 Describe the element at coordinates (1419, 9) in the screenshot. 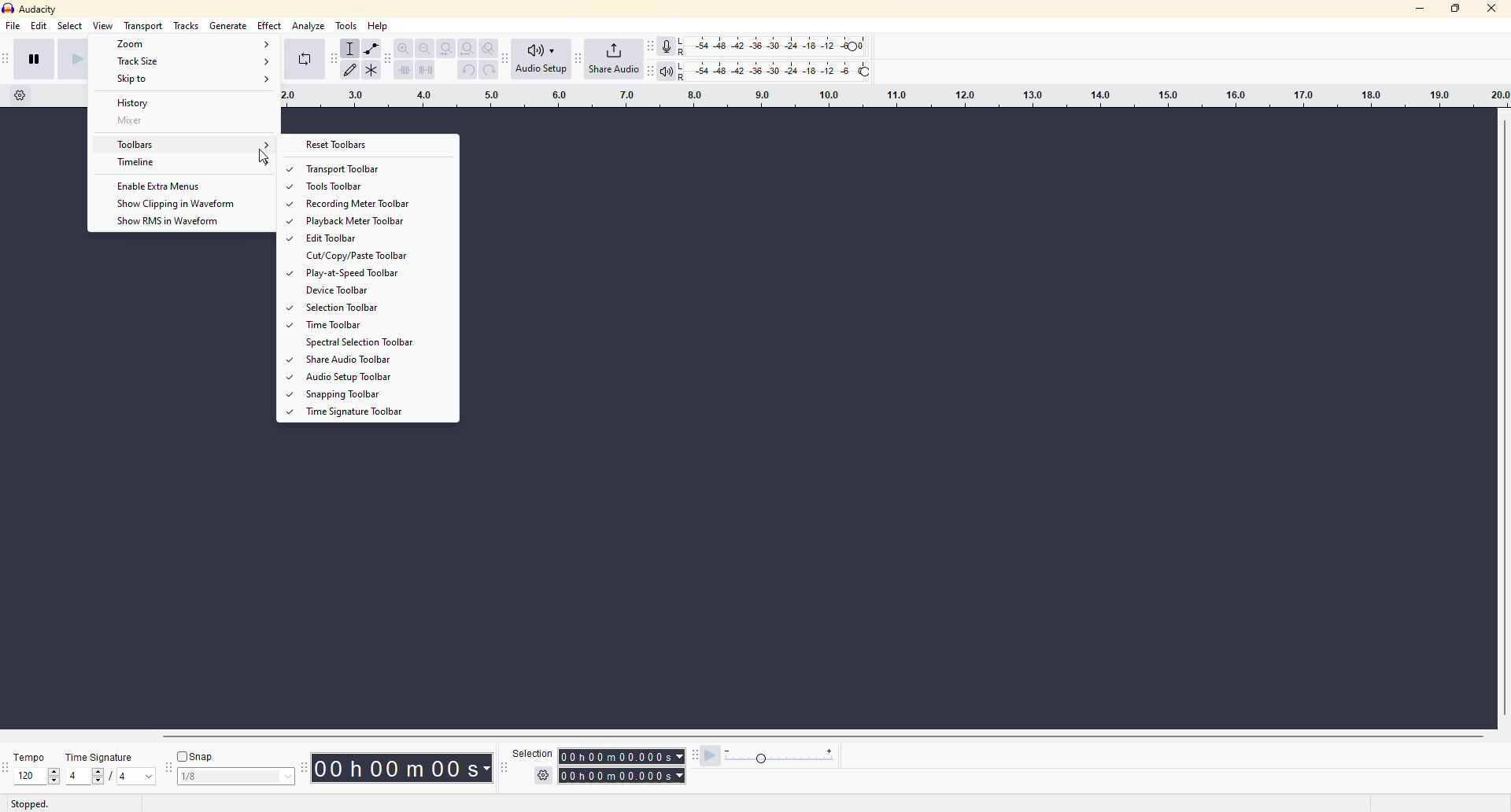

I see `minimize` at that location.